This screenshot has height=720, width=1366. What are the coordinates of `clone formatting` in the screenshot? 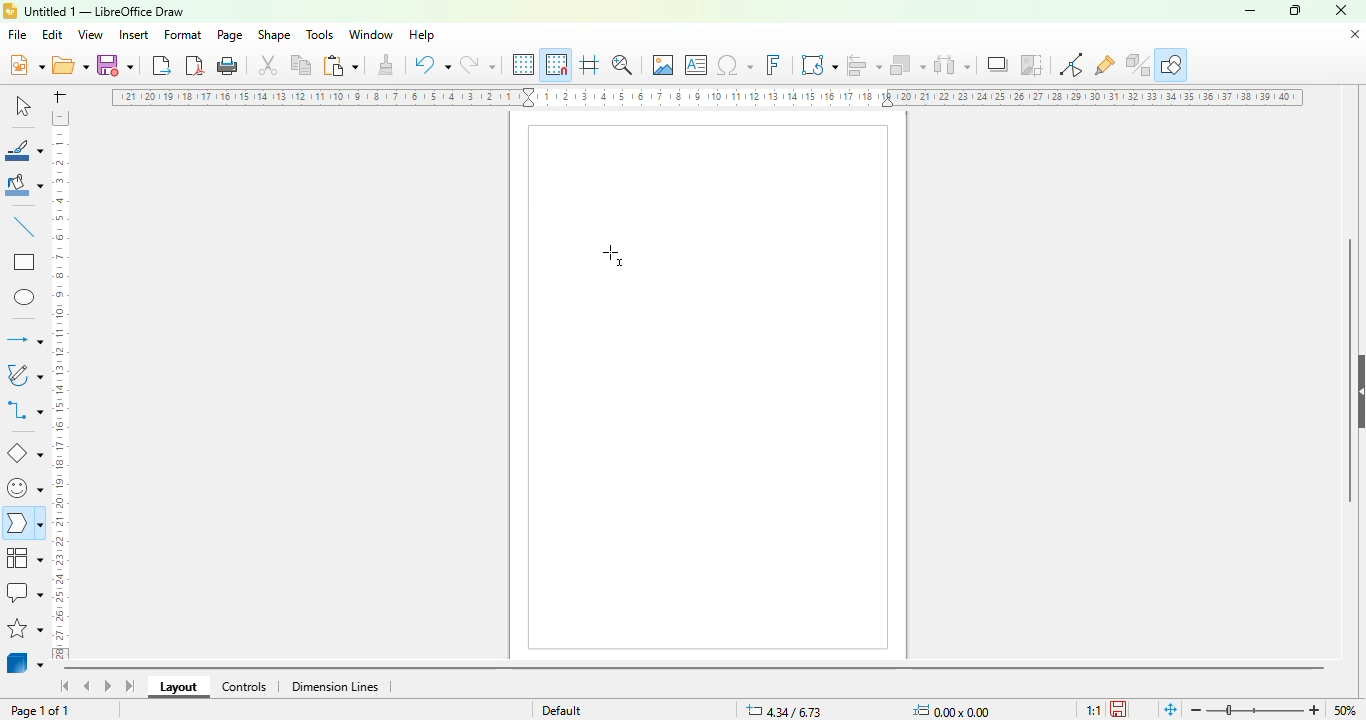 It's located at (387, 63).